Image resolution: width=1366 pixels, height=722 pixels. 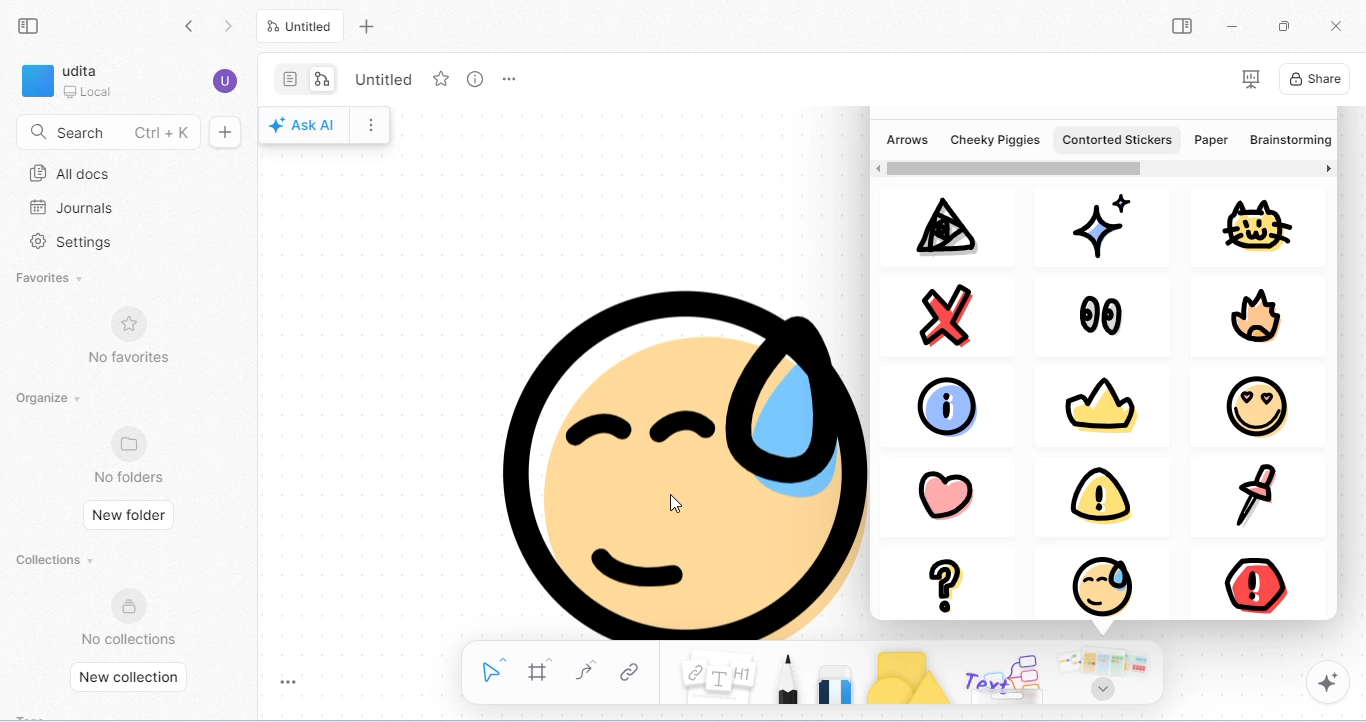 I want to click on affine, so click(x=941, y=227).